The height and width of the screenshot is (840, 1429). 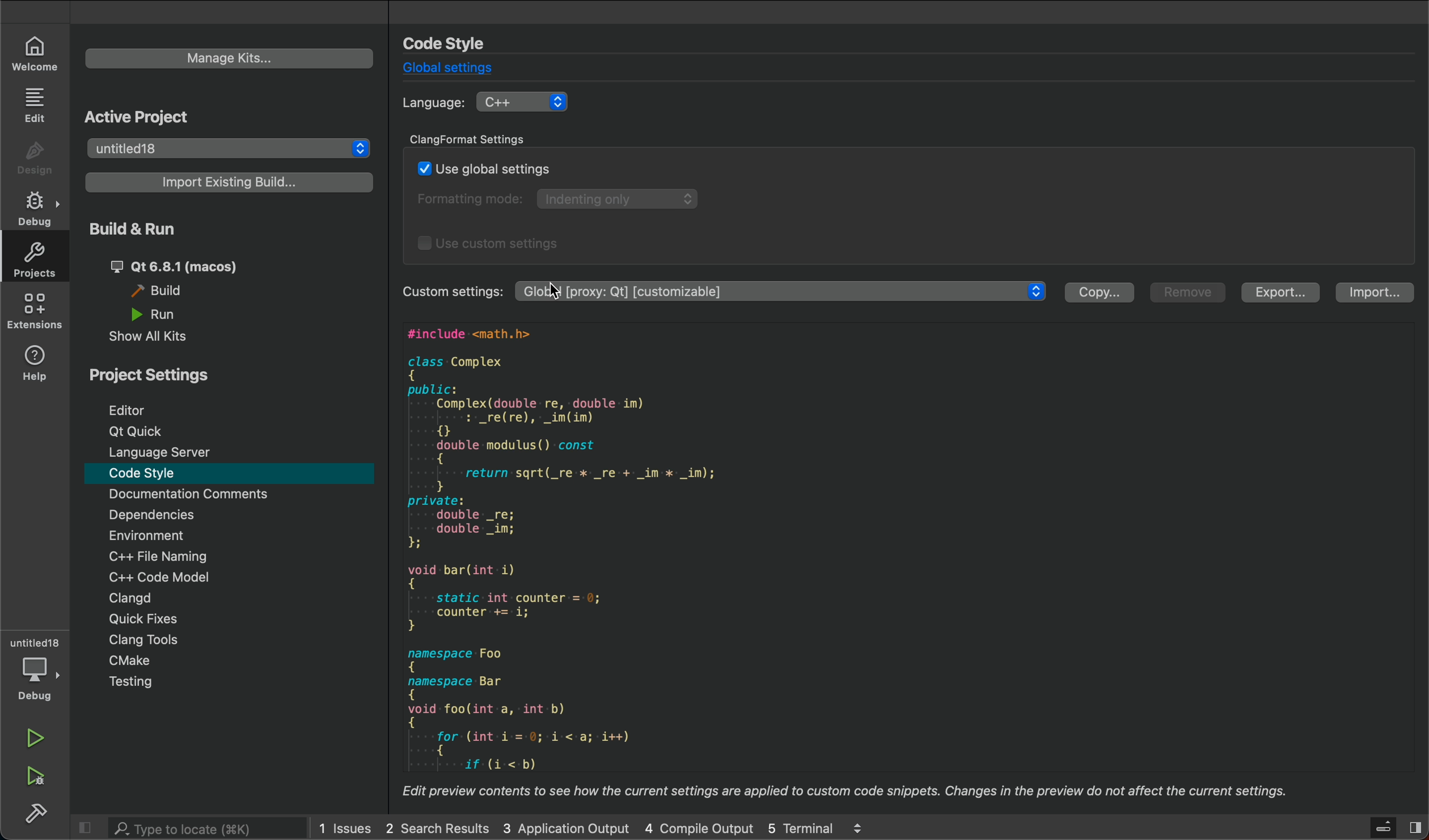 What do you see at coordinates (621, 198) in the screenshot?
I see `Indenting only ` at bounding box center [621, 198].